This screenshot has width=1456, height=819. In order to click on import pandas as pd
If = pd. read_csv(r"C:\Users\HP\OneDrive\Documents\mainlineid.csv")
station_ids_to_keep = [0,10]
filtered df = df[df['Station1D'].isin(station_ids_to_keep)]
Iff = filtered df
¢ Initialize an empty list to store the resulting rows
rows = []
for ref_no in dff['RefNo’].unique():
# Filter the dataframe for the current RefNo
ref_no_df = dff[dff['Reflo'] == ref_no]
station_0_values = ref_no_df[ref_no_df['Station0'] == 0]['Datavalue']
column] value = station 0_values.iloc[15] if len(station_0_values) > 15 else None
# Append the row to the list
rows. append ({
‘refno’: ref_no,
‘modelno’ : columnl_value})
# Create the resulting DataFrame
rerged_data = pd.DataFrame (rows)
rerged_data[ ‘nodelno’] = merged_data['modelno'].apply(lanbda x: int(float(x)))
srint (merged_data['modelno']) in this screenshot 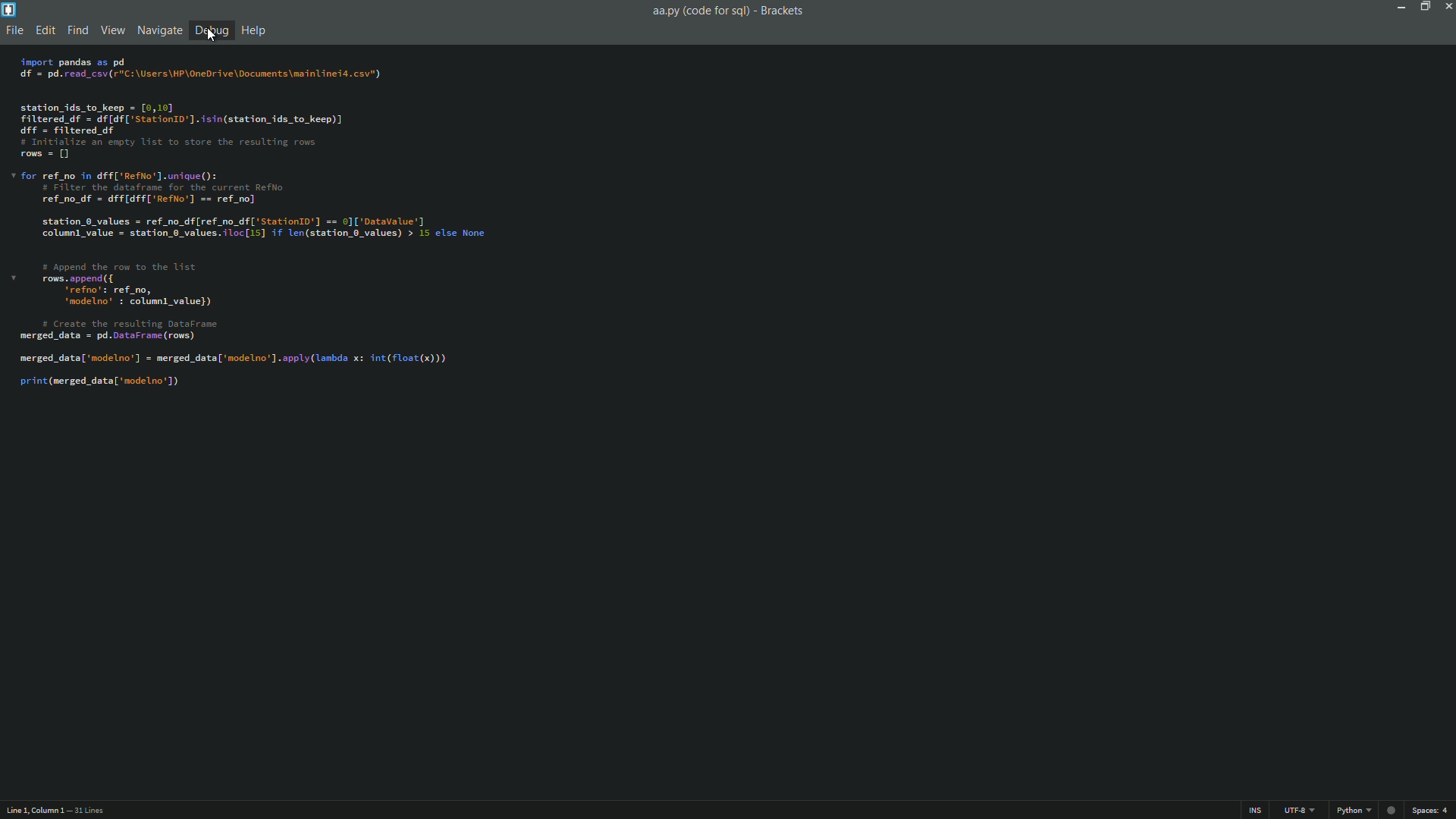, I will do `click(291, 234)`.